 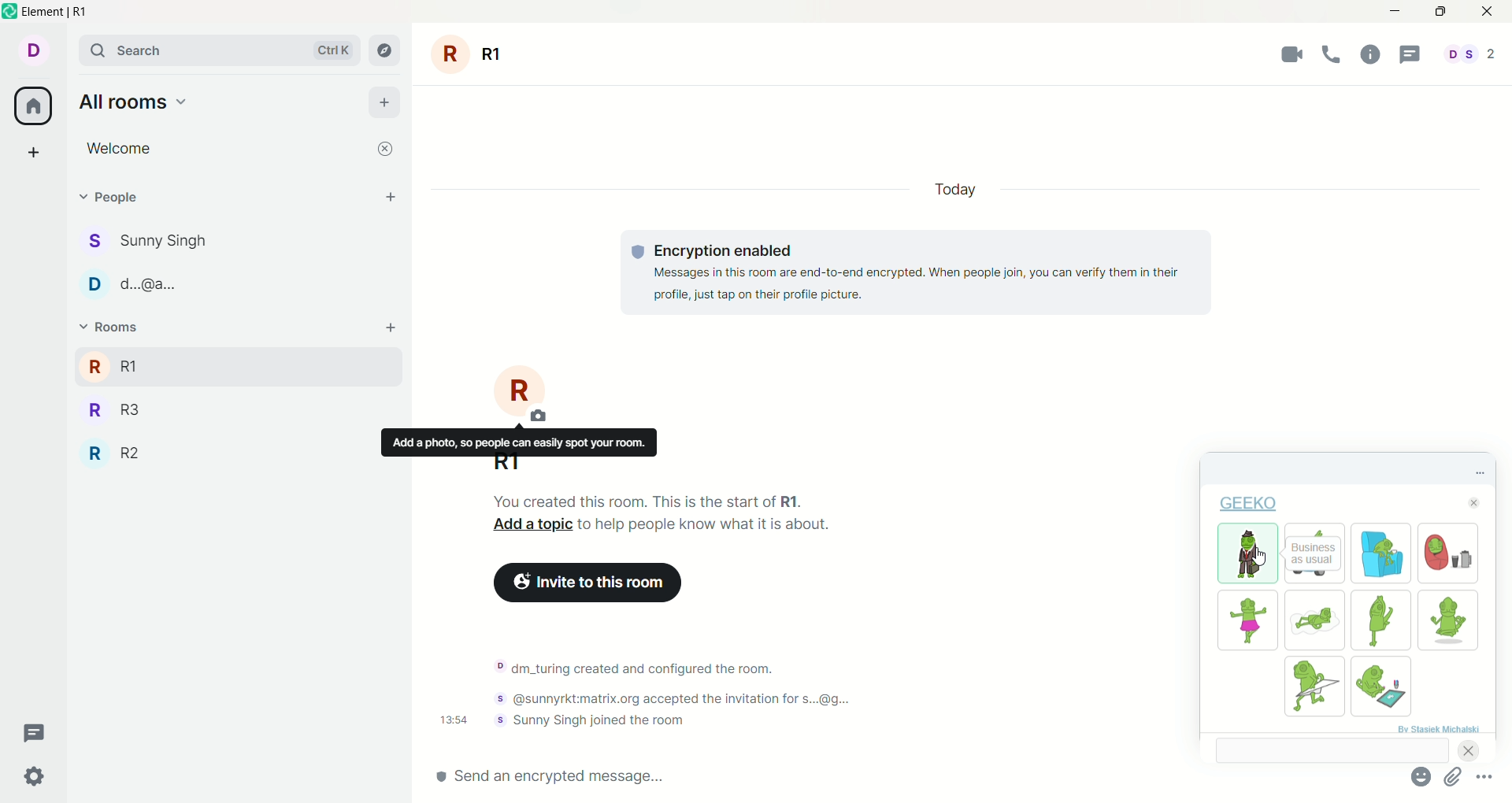 I want to click on close, so click(x=1473, y=502).